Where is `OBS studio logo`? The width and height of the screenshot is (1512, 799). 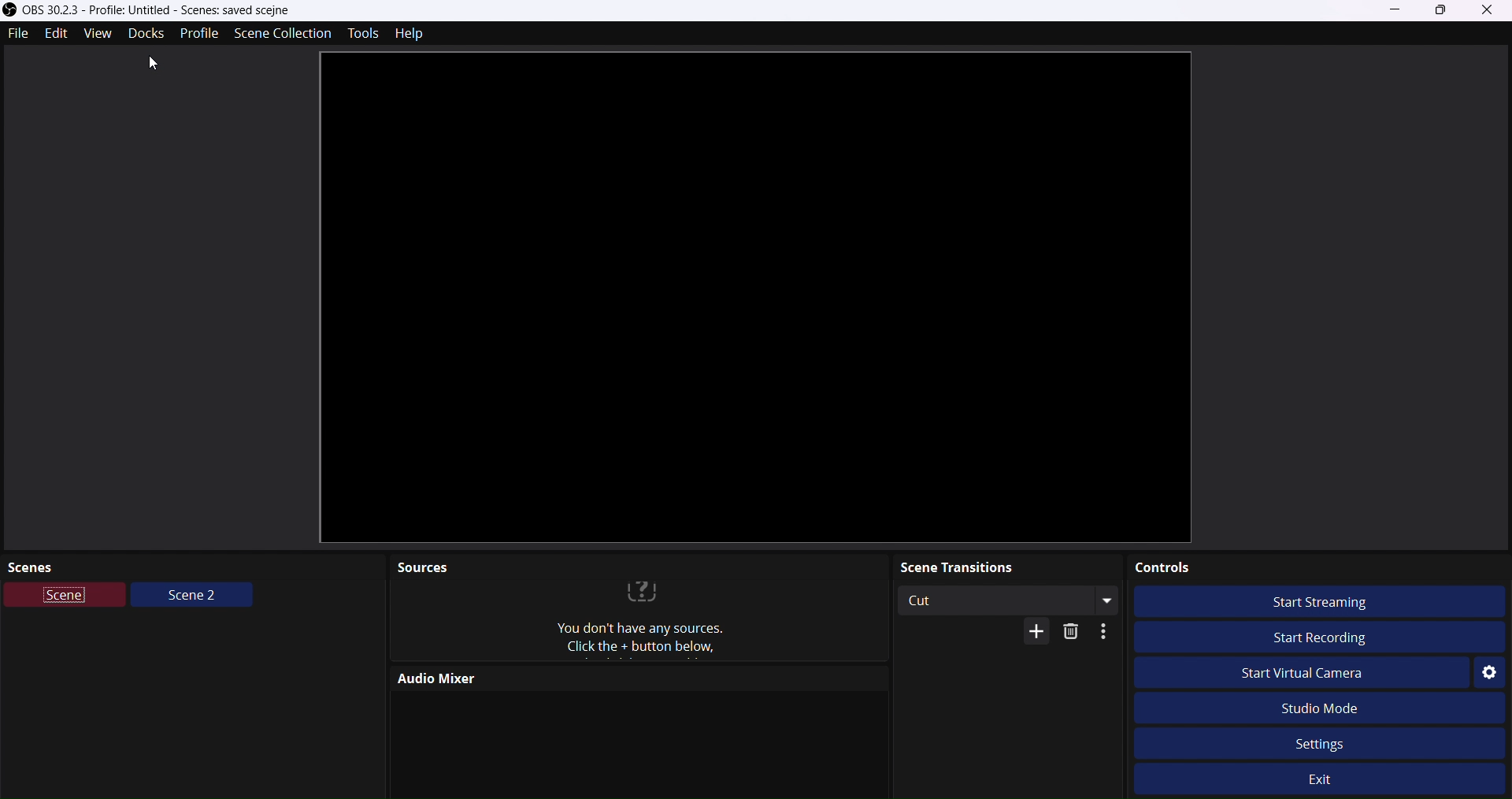 OBS studio logo is located at coordinates (9, 9).